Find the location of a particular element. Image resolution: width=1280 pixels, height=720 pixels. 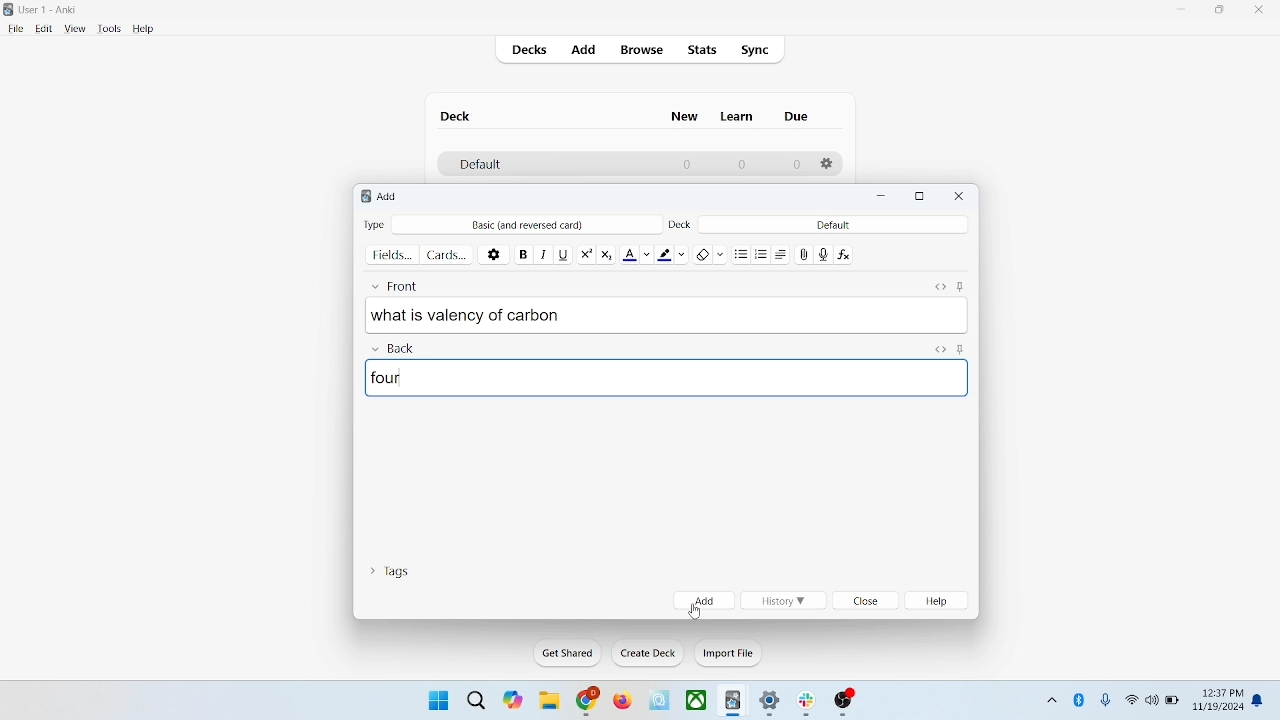

deck is located at coordinates (458, 116).